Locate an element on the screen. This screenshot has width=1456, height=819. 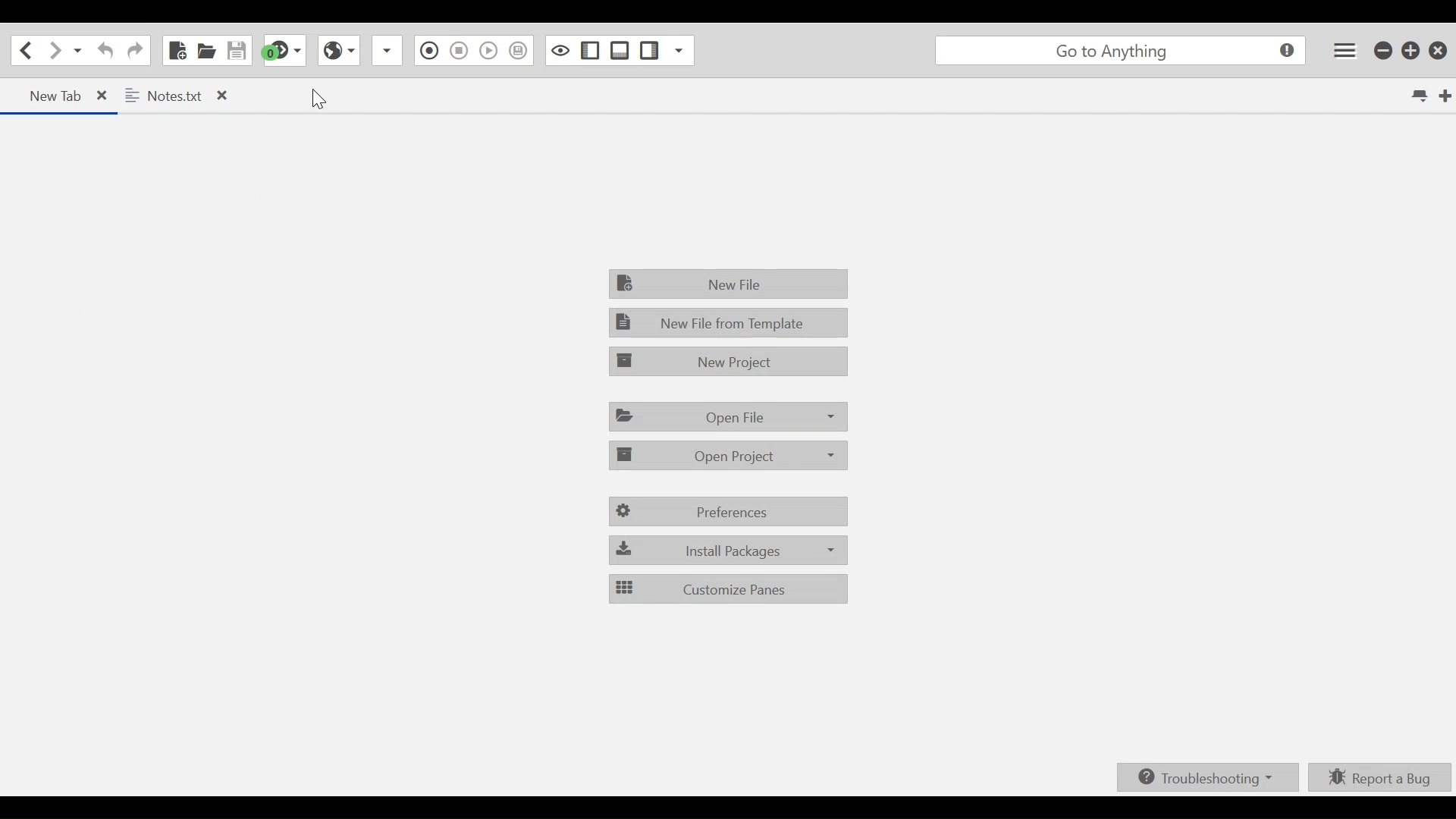
Report a bug is located at coordinates (1382, 779).